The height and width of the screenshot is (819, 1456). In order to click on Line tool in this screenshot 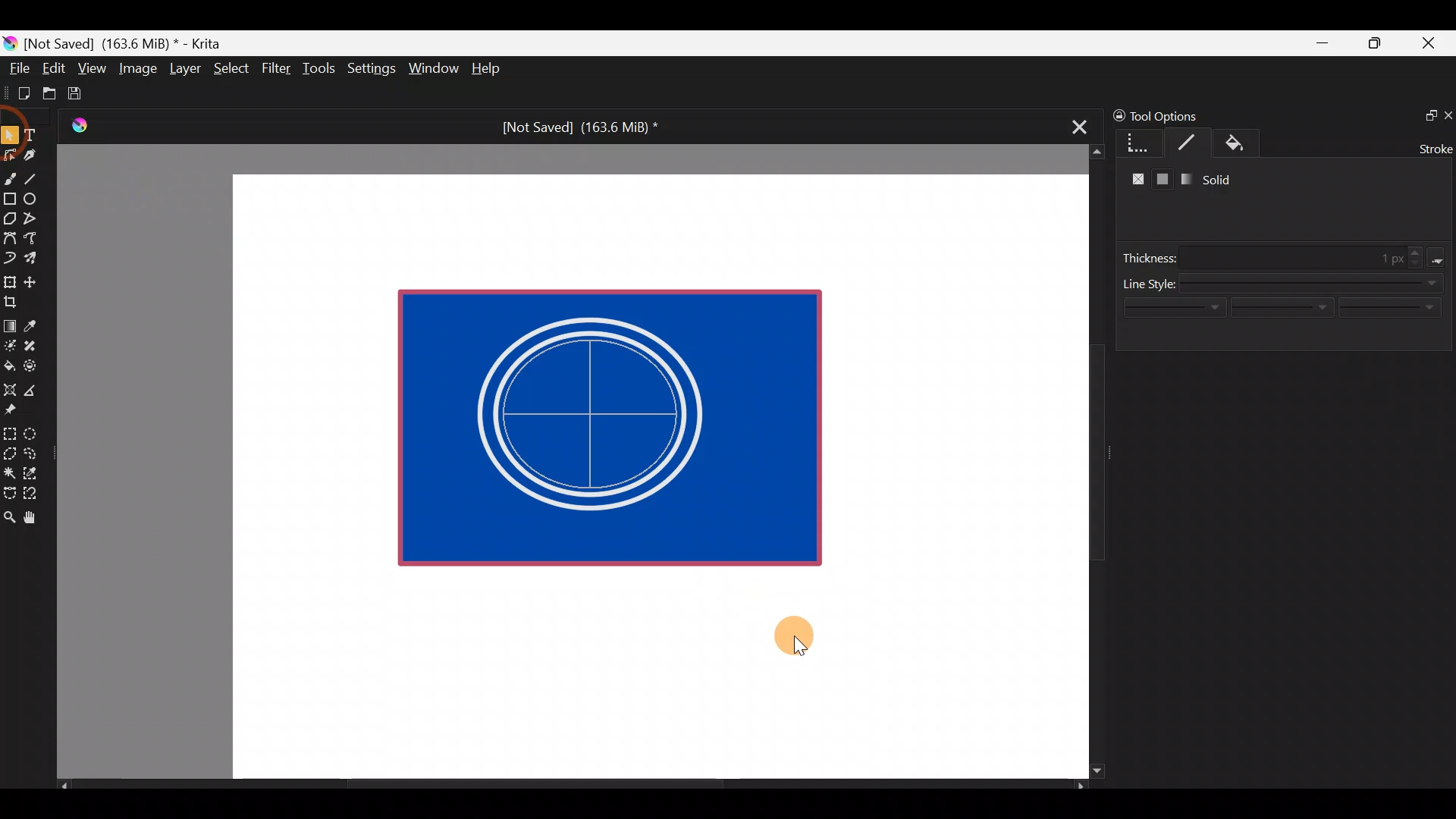, I will do `click(40, 177)`.